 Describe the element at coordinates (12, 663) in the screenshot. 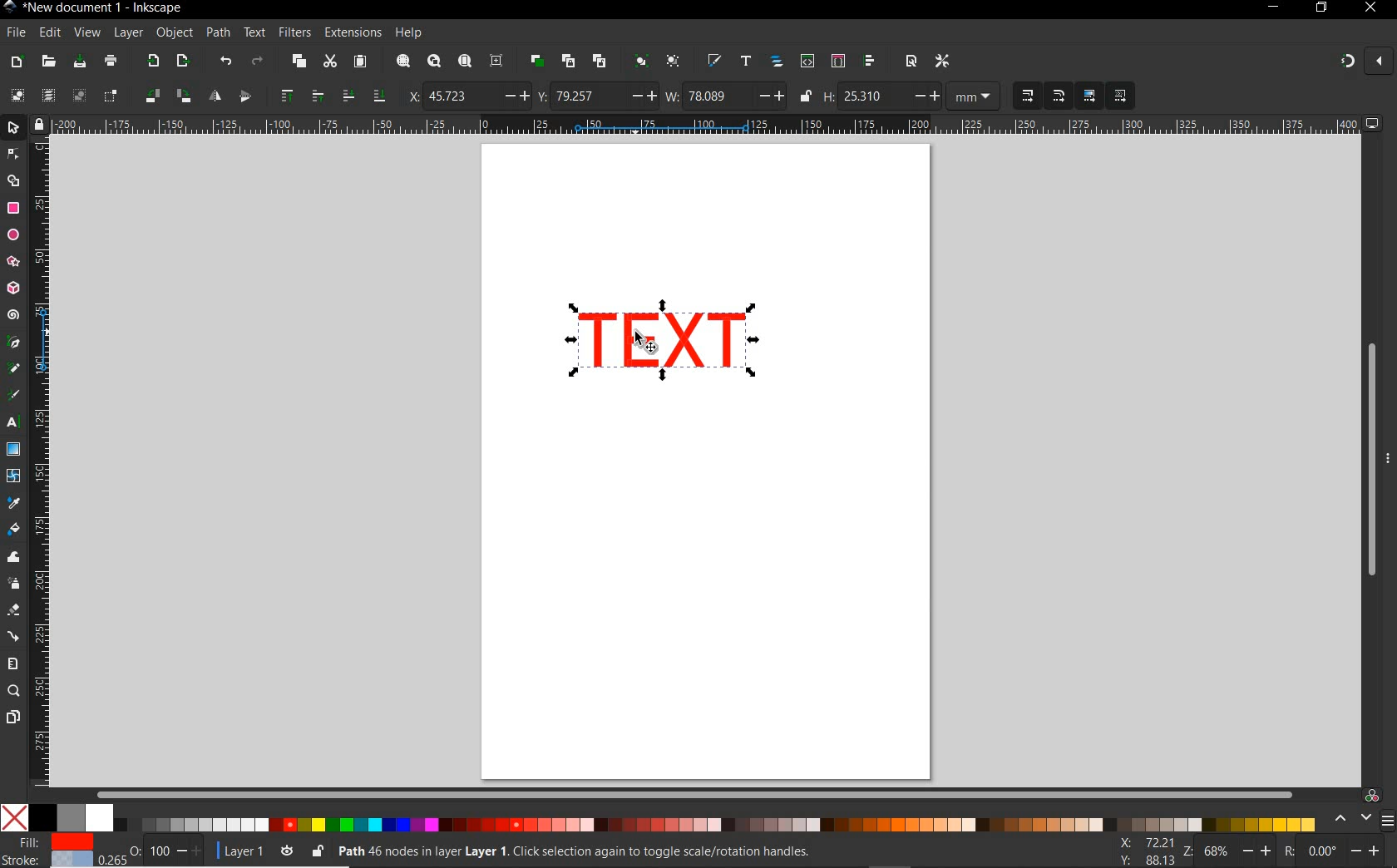

I see `MEASURE TOOL` at that location.